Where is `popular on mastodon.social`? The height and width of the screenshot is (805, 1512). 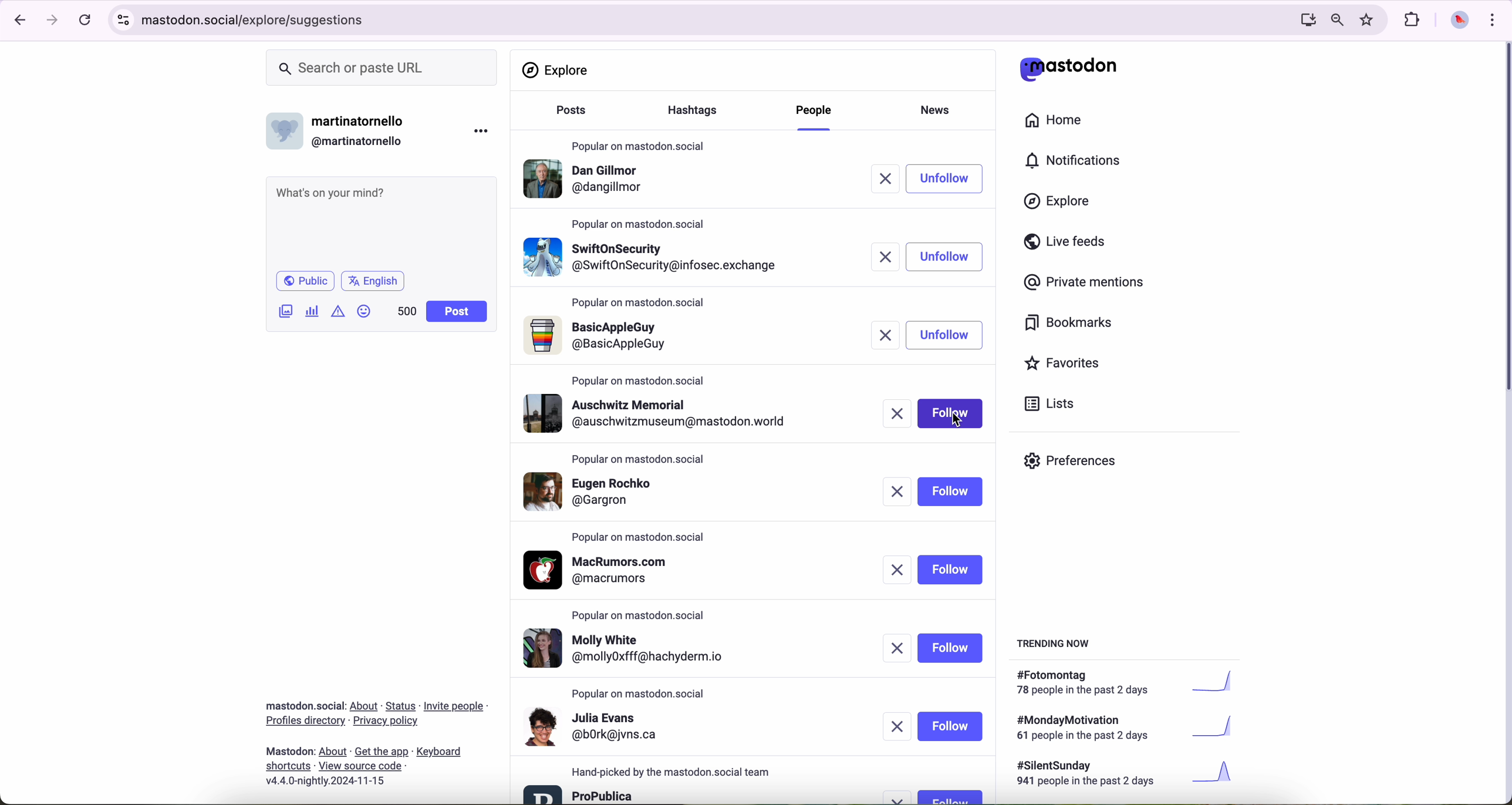 popular on mastodon.social is located at coordinates (640, 304).